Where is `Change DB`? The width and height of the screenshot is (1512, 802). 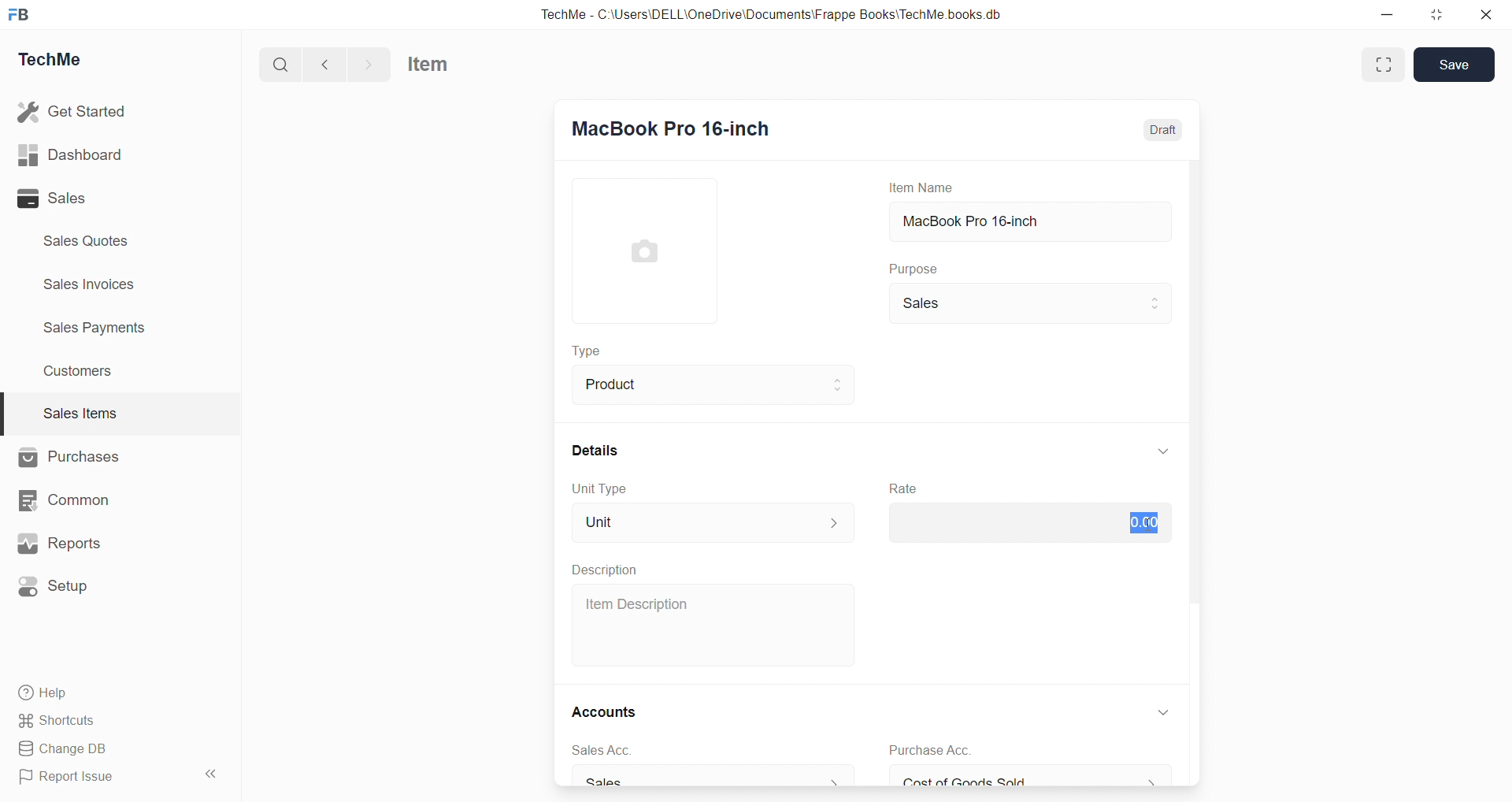
Change DB is located at coordinates (64, 748).